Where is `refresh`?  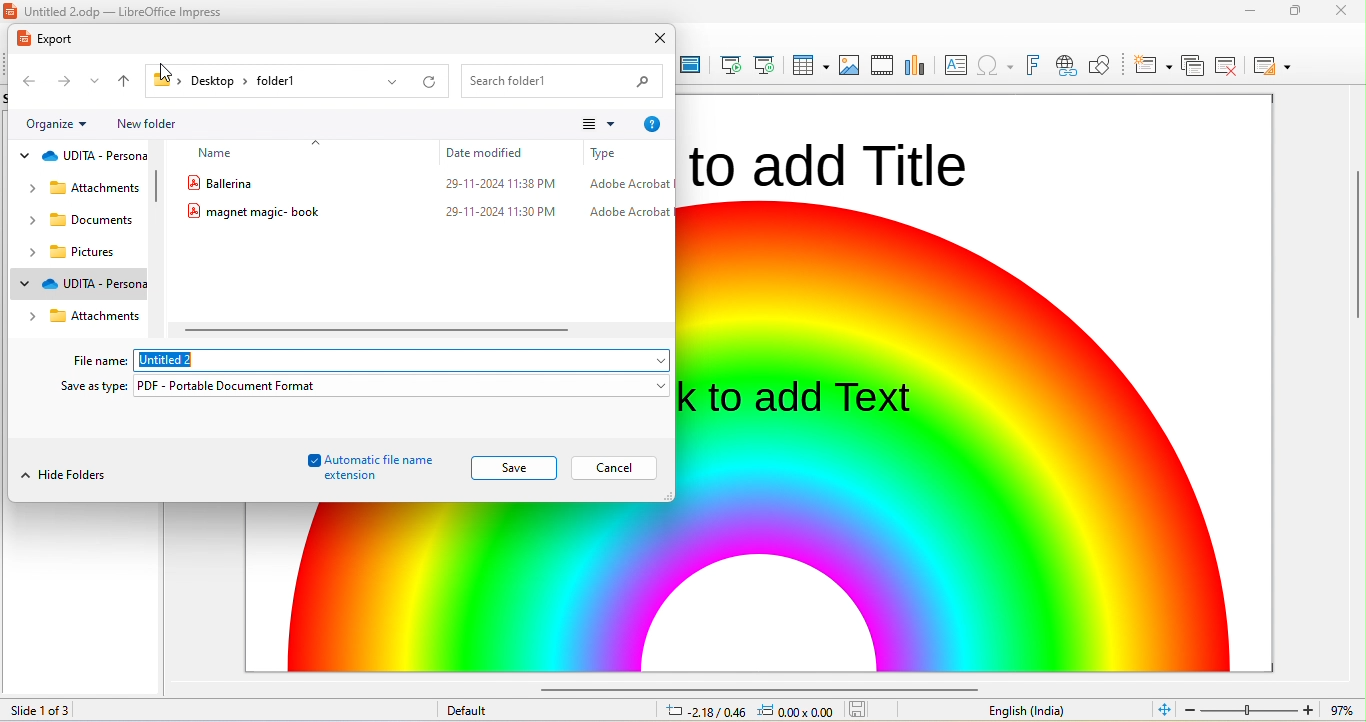
refresh is located at coordinates (429, 81).